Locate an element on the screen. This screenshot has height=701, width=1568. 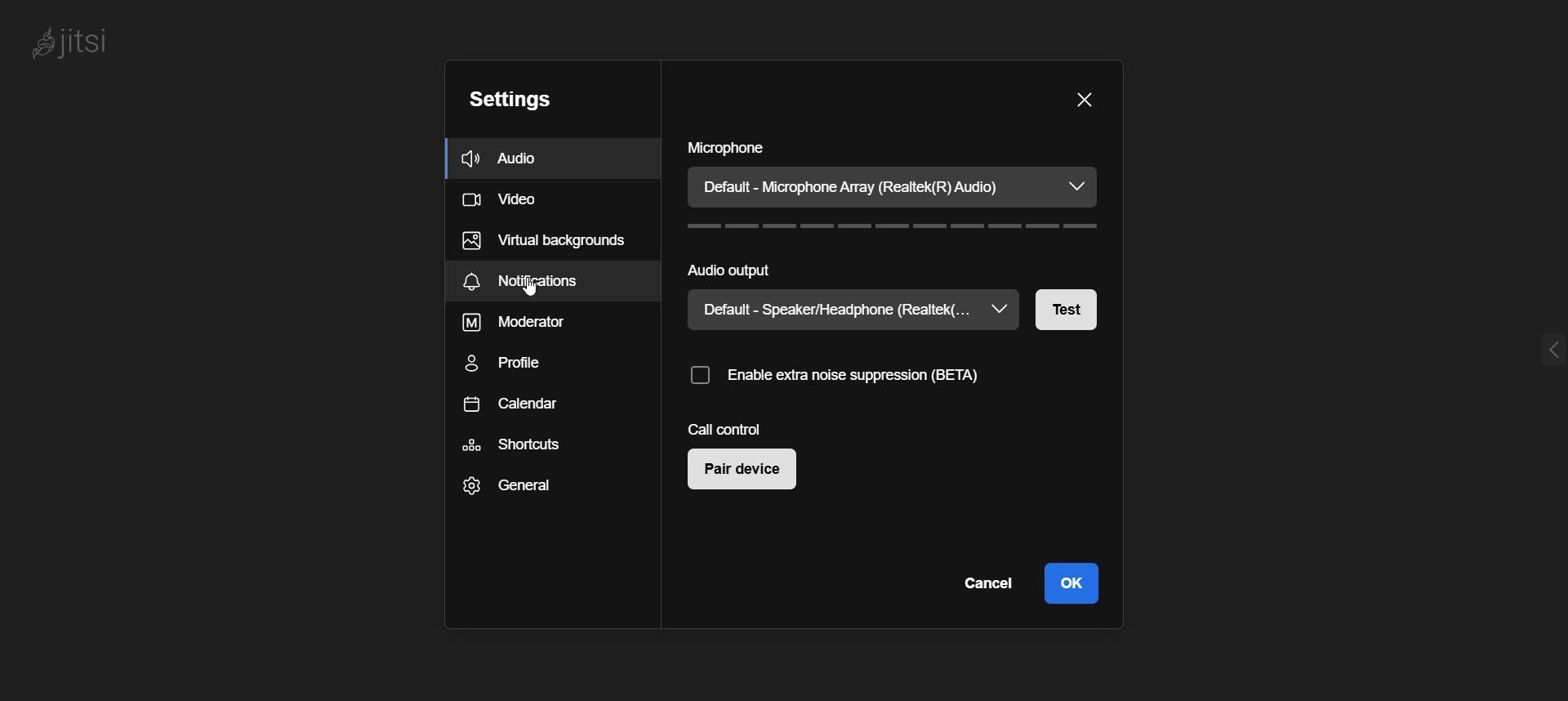
audio output is located at coordinates (736, 270).